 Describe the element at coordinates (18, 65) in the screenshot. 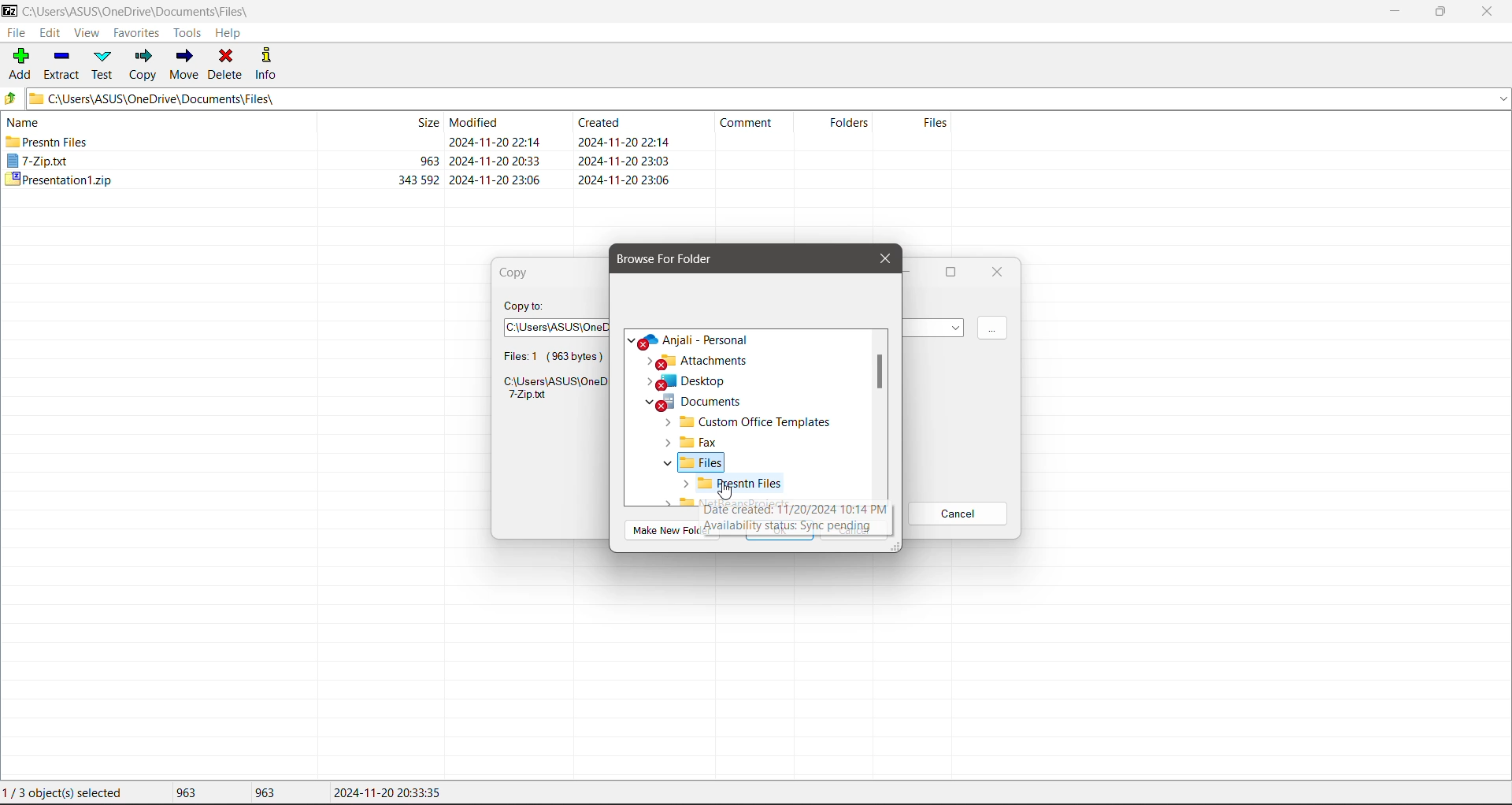

I see `Add` at that location.